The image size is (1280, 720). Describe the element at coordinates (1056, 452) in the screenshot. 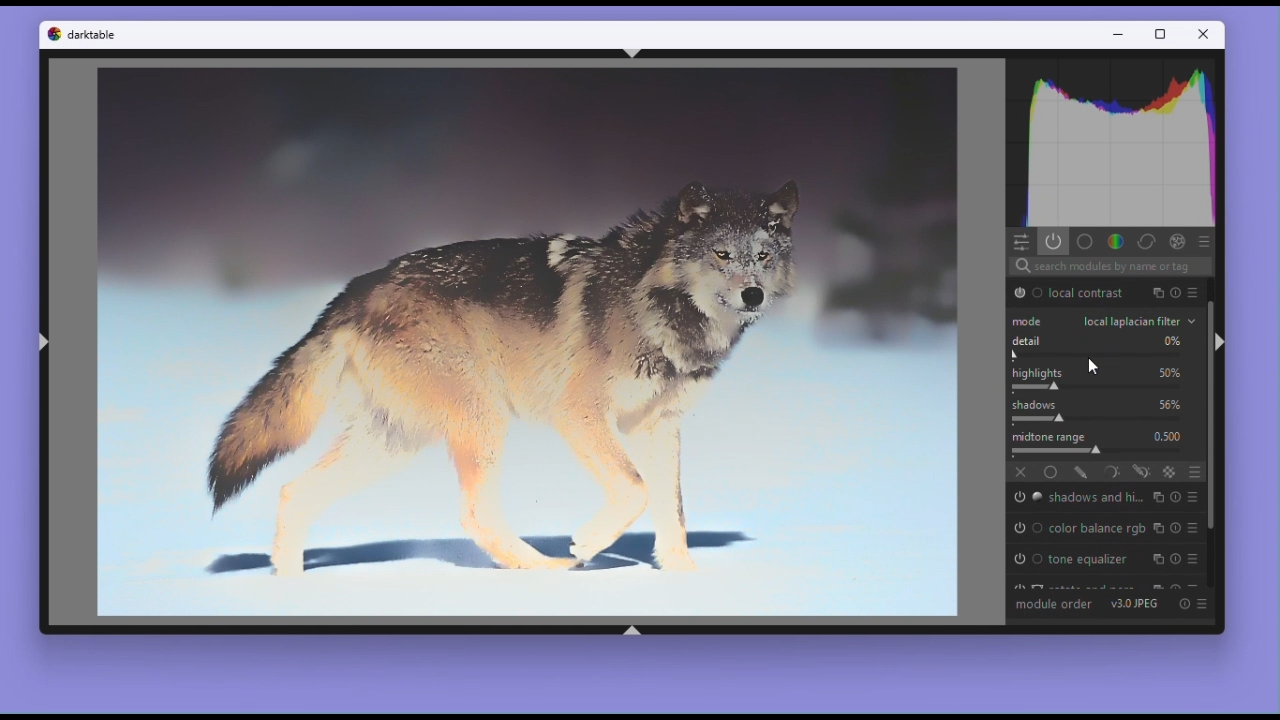

I see `adjust midtone range` at that location.